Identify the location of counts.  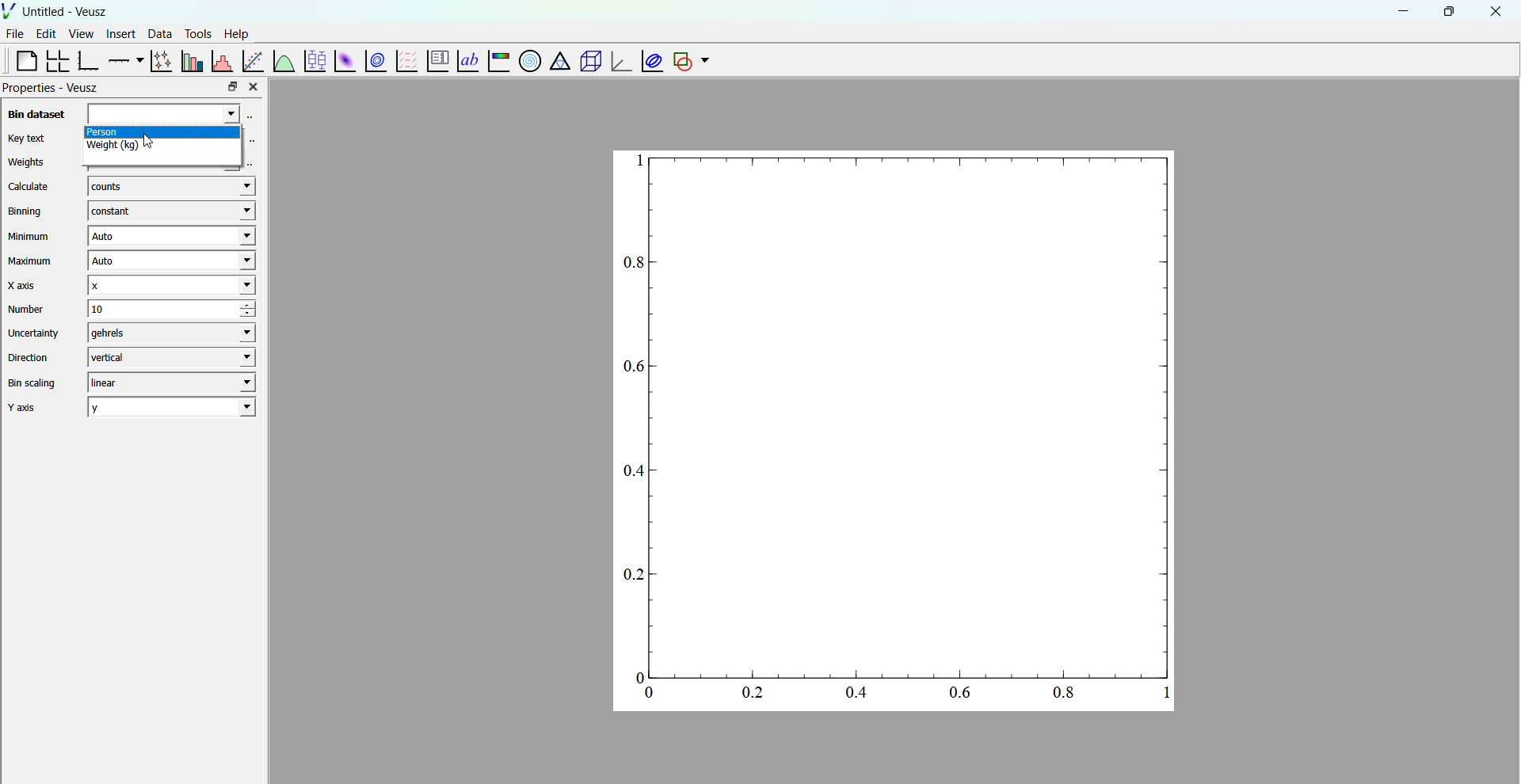
(170, 188).